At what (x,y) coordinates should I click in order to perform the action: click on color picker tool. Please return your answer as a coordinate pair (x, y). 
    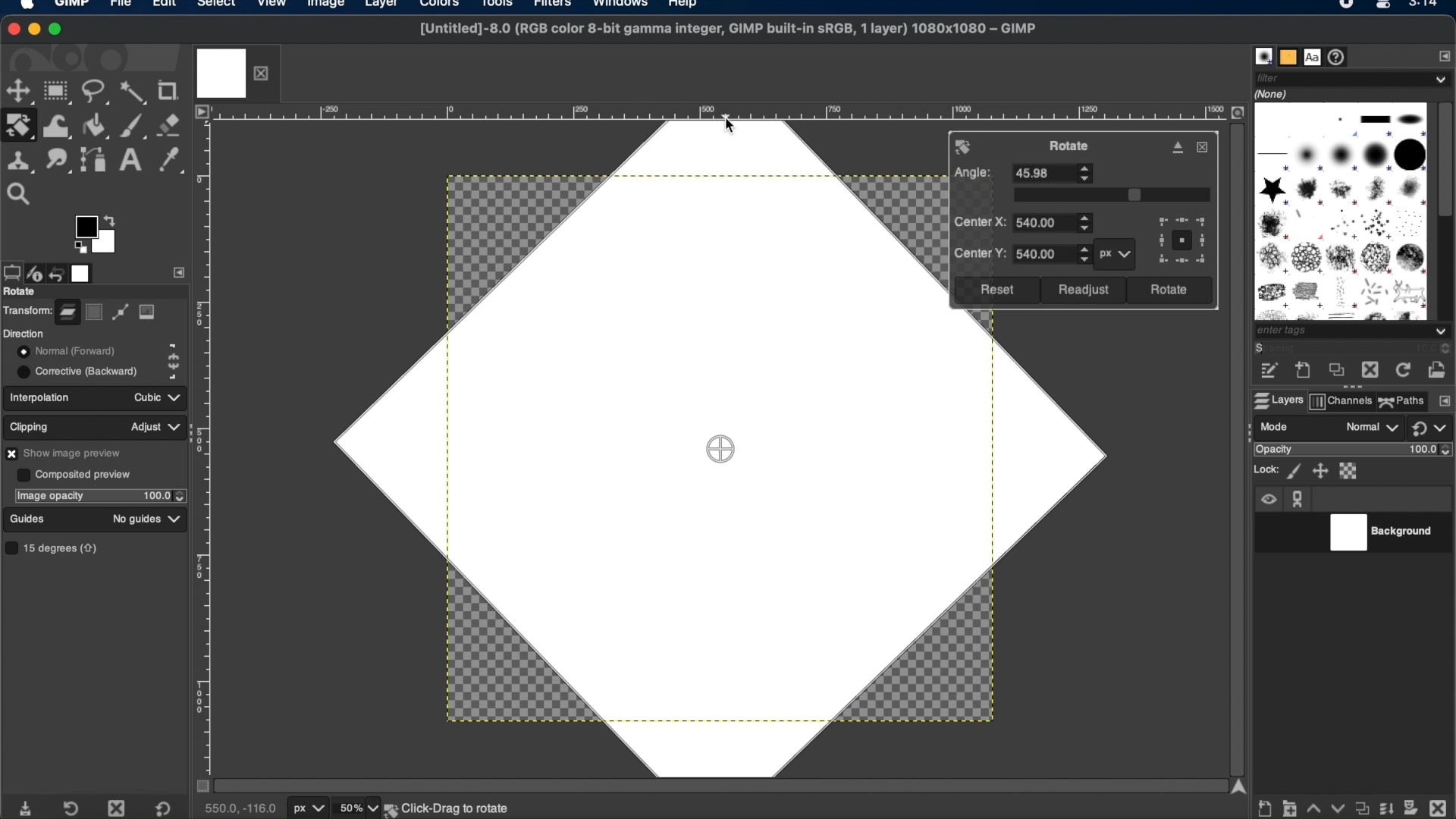
    Looking at the image, I should click on (171, 161).